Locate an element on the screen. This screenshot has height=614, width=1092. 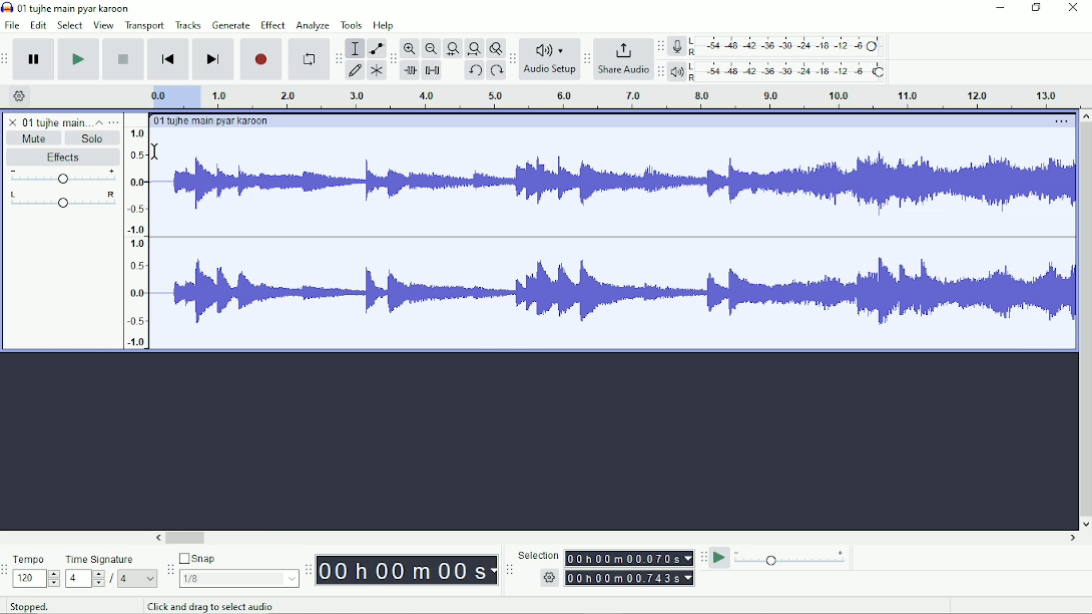
Play duration is located at coordinates (601, 97).